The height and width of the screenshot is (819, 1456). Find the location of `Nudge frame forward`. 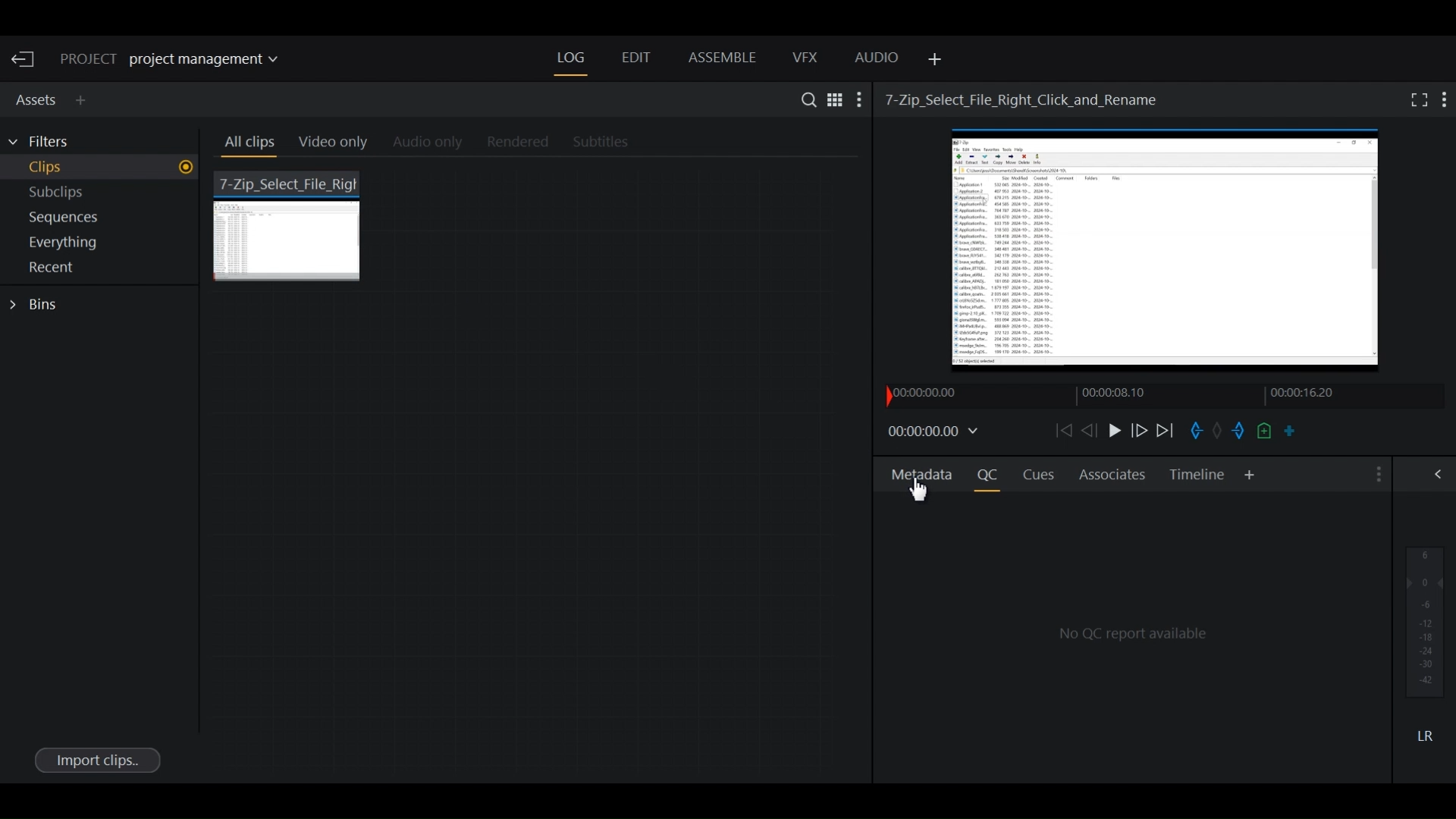

Nudge frame forward is located at coordinates (1141, 430).